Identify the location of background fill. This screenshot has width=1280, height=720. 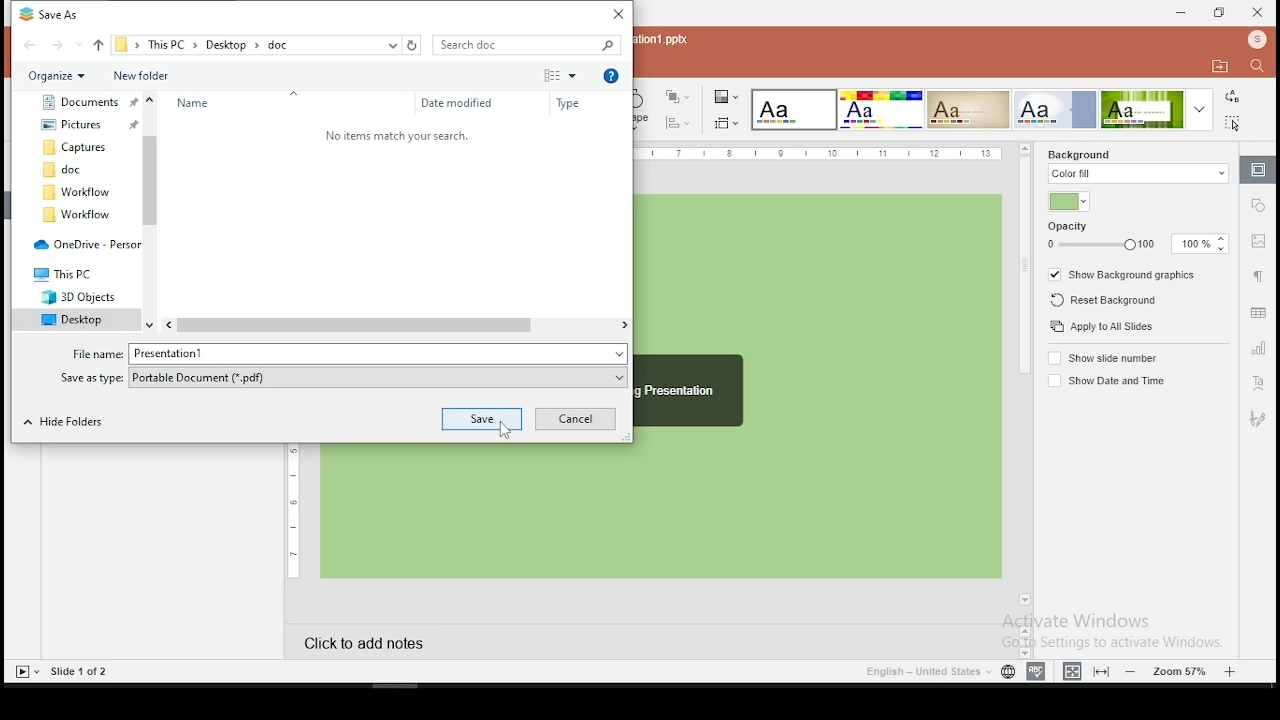
(1080, 154).